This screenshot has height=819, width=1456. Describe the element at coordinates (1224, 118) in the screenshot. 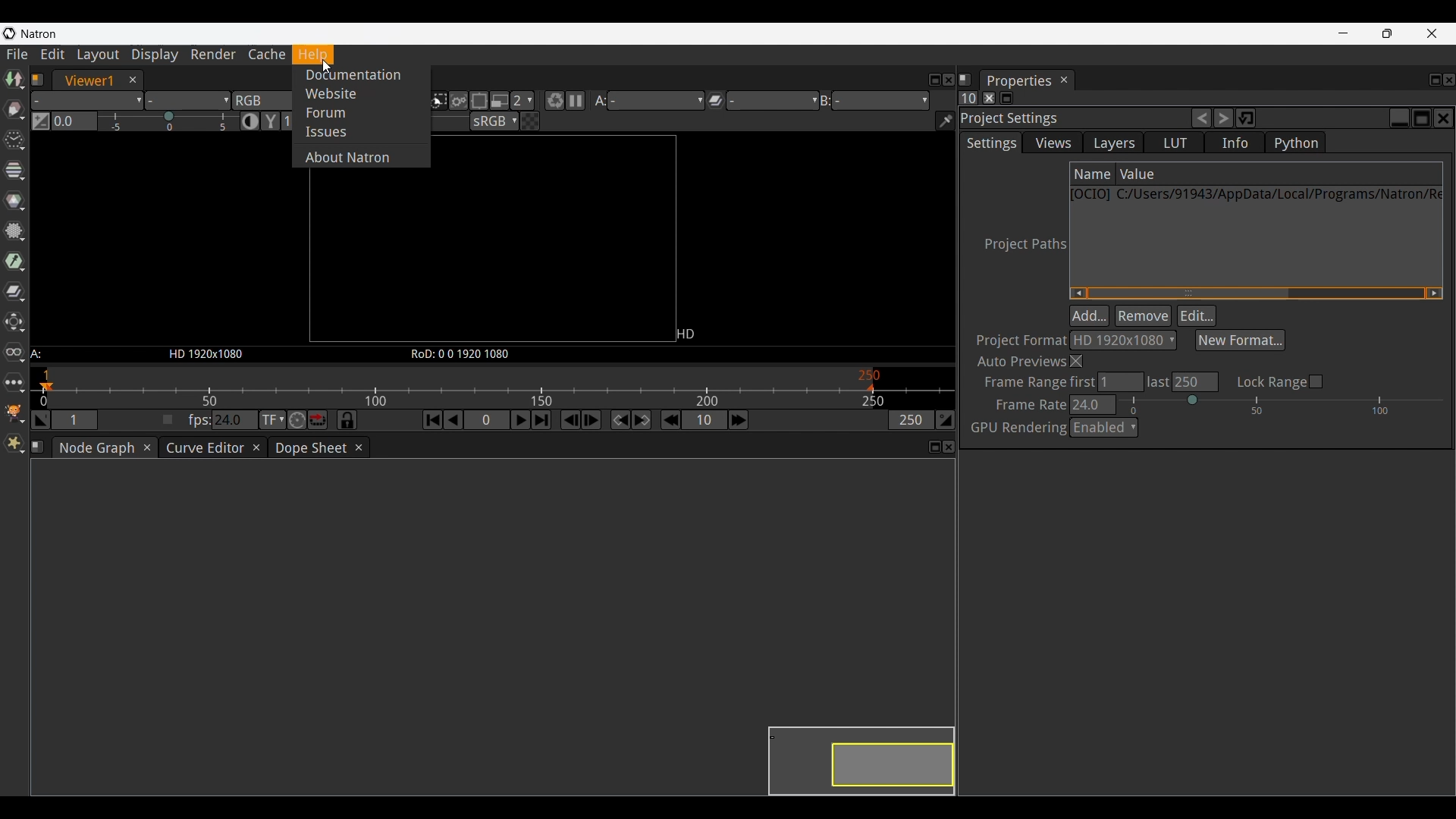

I see `Redo` at that location.